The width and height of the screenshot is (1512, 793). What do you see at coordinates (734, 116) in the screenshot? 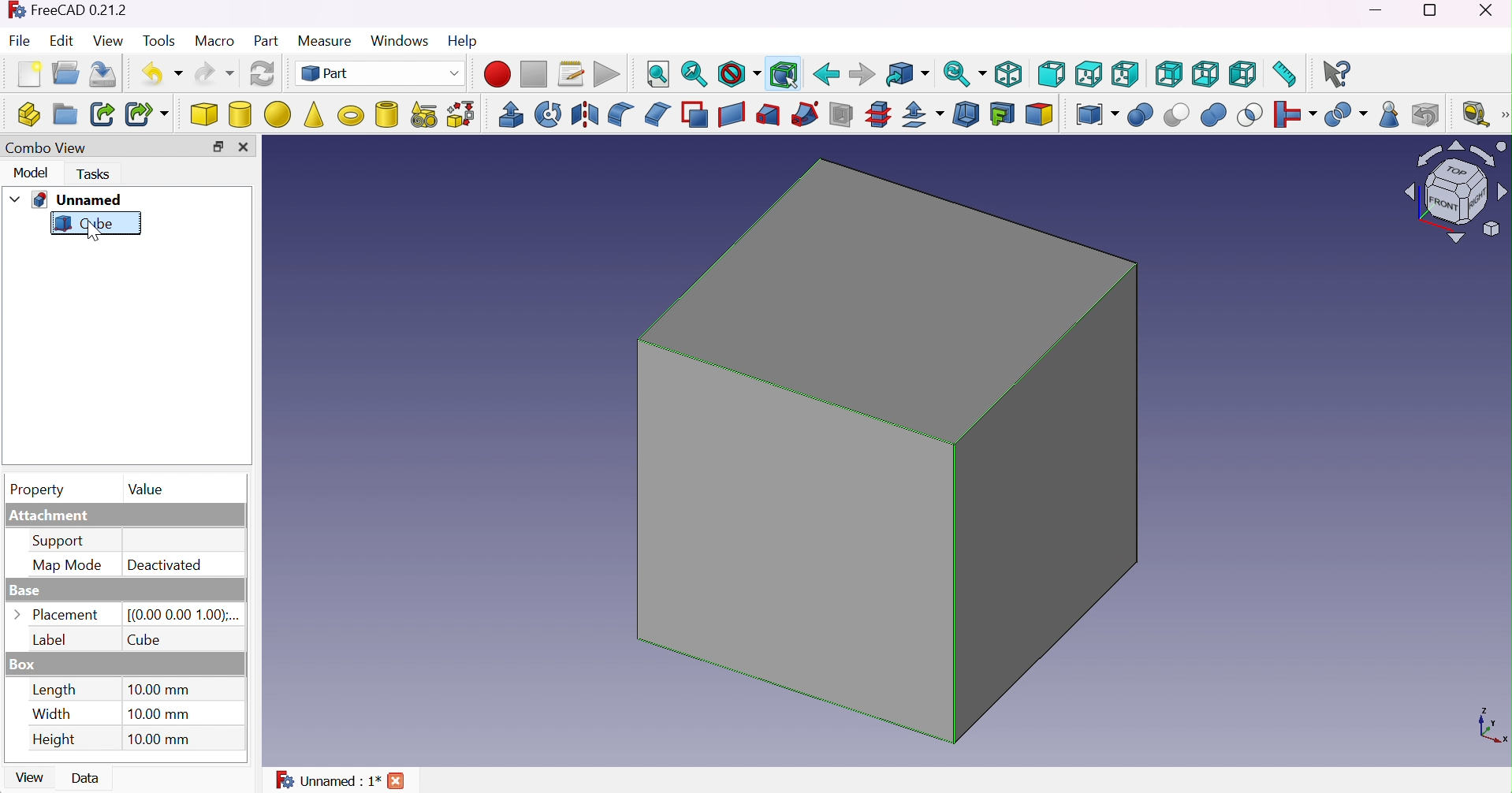
I see `Create ruled surface` at bounding box center [734, 116].